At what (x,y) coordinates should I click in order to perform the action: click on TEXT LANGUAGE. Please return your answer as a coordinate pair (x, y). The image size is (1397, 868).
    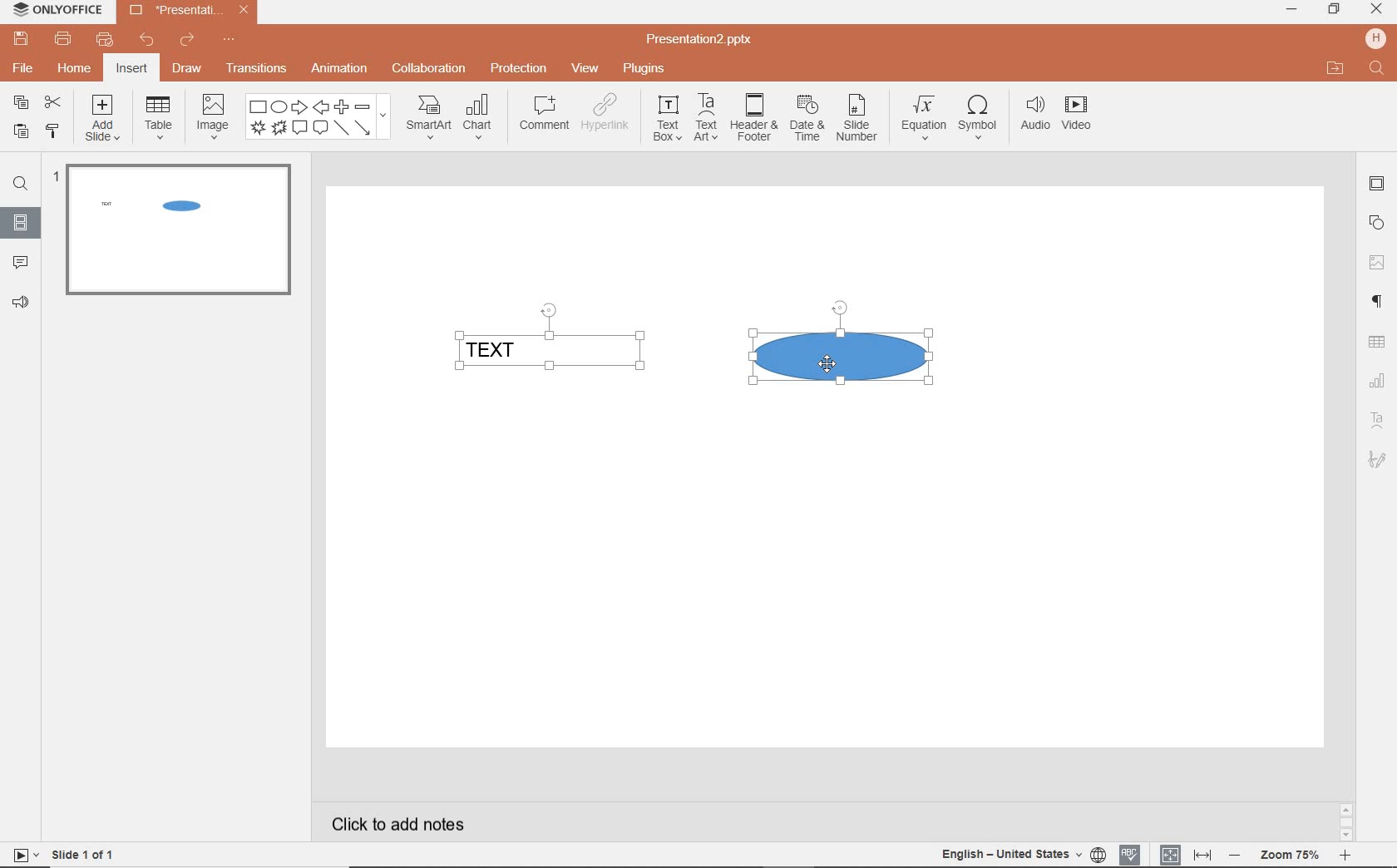
    Looking at the image, I should click on (1021, 855).